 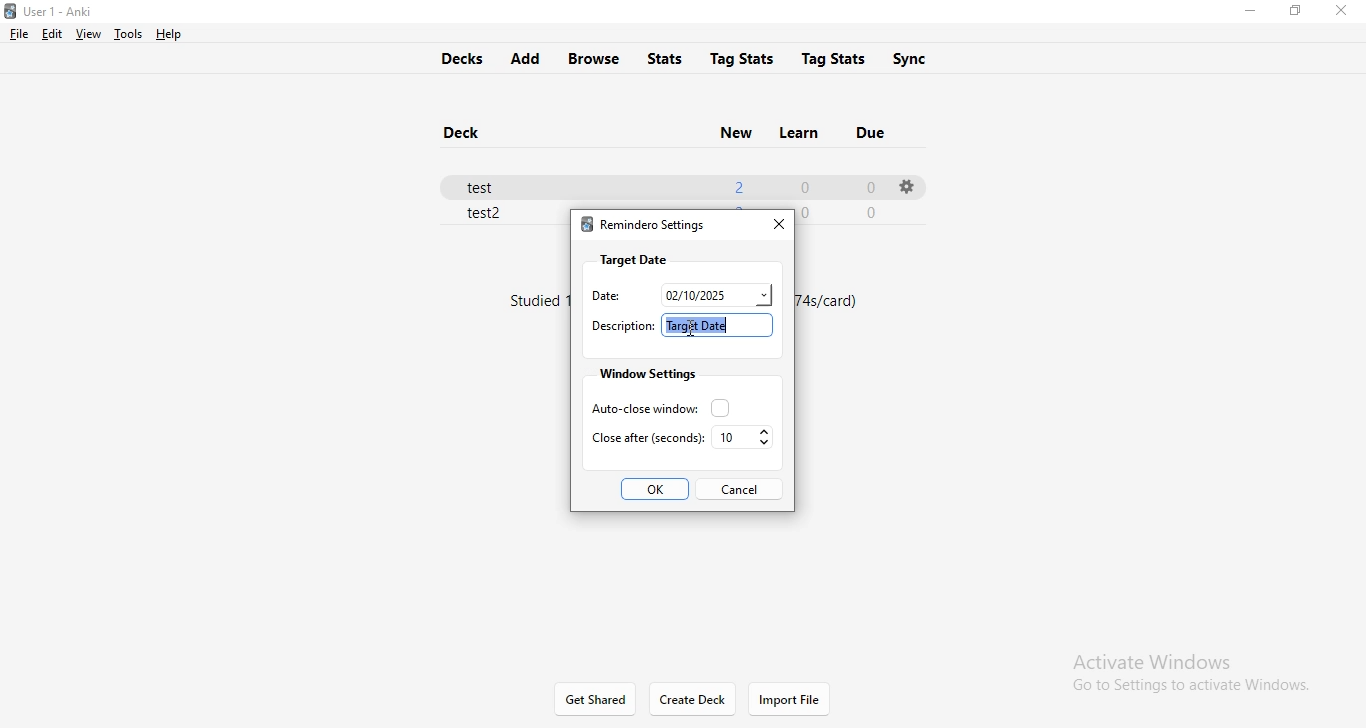 What do you see at coordinates (1345, 11) in the screenshot?
I see `close` at bounding box center [1345, 11].